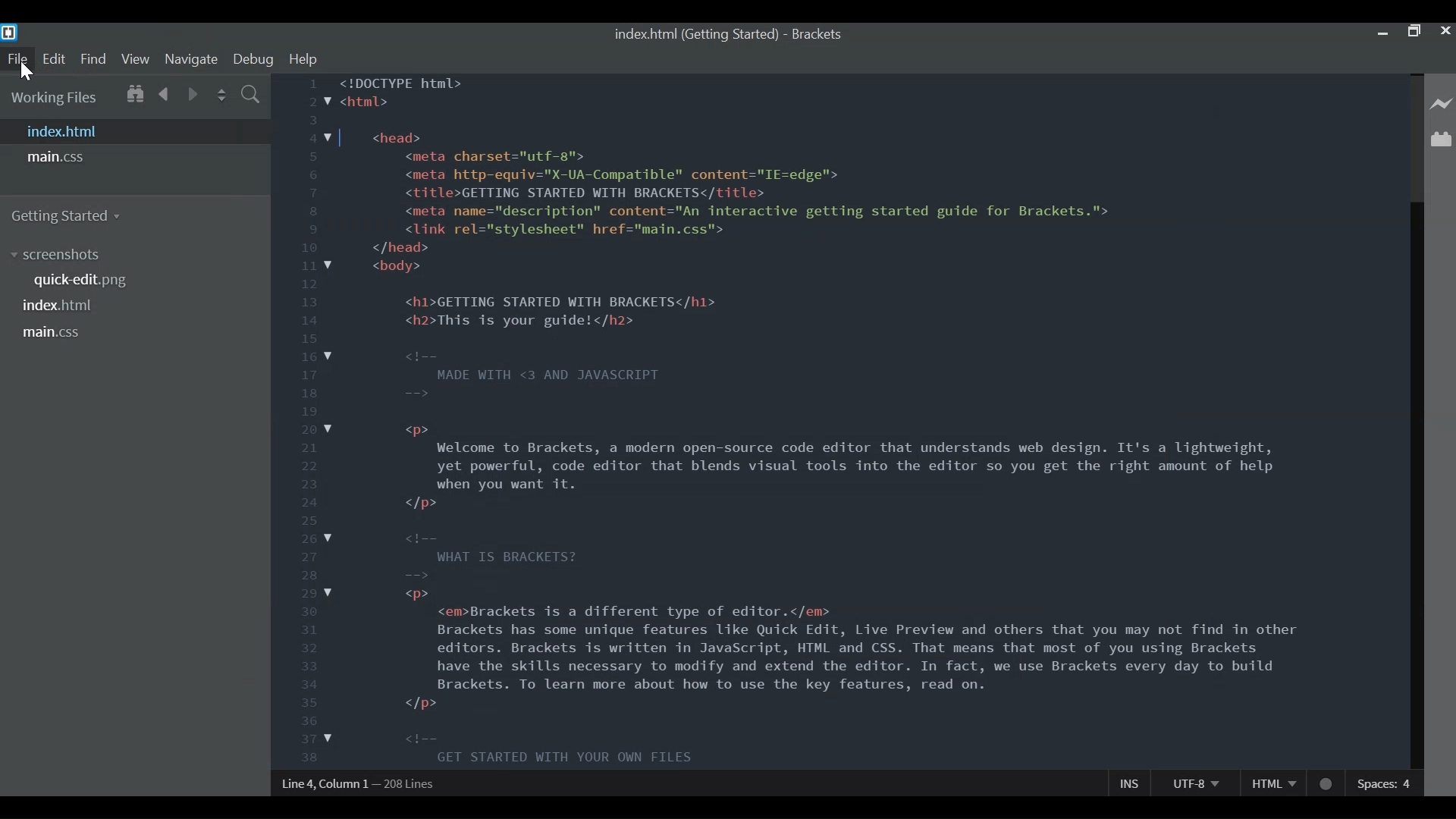 The image size is (1456, 819). Describe the element at coordinates (253, 94) in the screenshot. I see `Find in Files` at that location.